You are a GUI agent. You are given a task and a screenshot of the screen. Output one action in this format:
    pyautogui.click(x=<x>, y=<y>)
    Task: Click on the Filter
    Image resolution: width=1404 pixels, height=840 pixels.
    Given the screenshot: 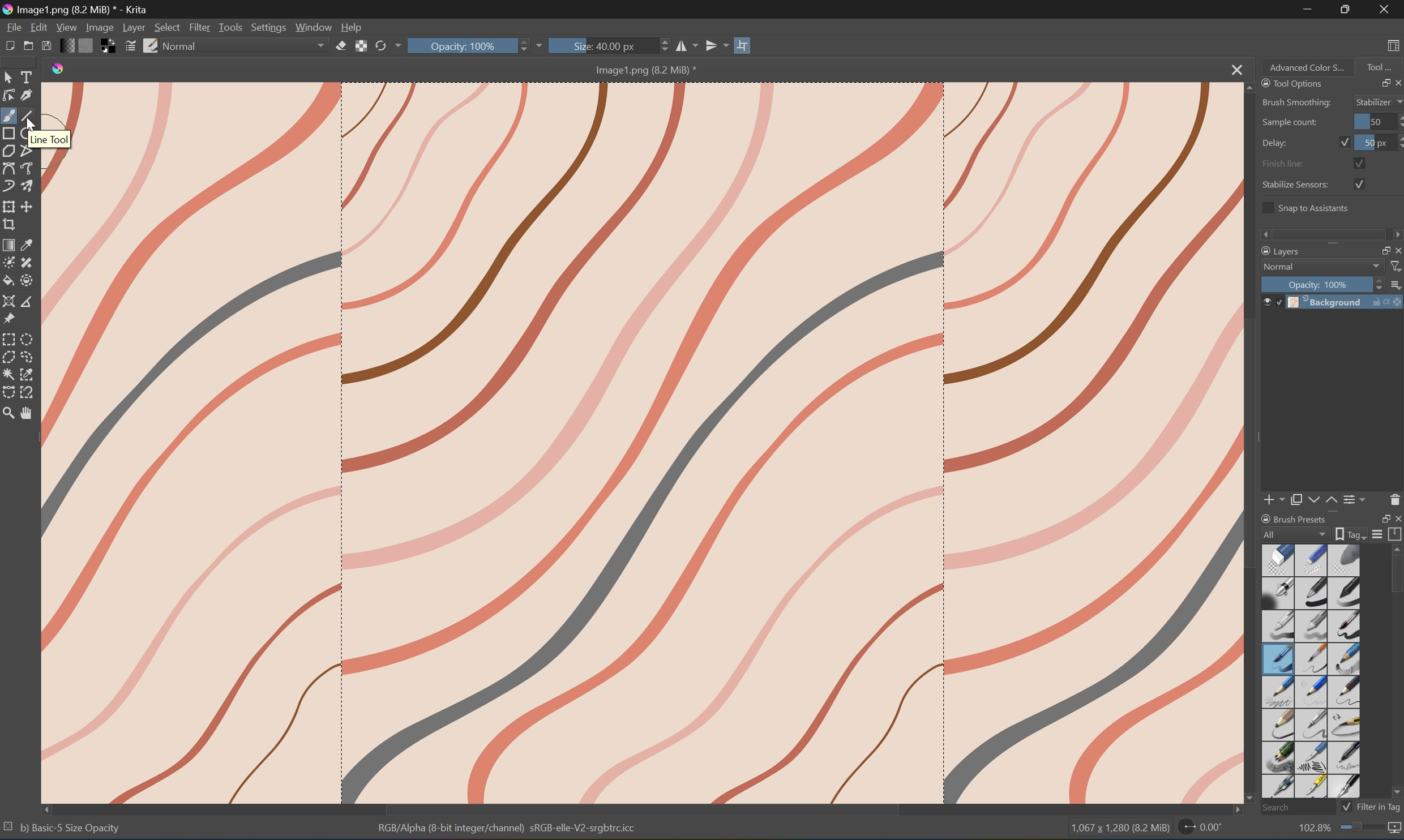 What is the action you would take?
    pyautogui.click(x=1396, y=267)
    